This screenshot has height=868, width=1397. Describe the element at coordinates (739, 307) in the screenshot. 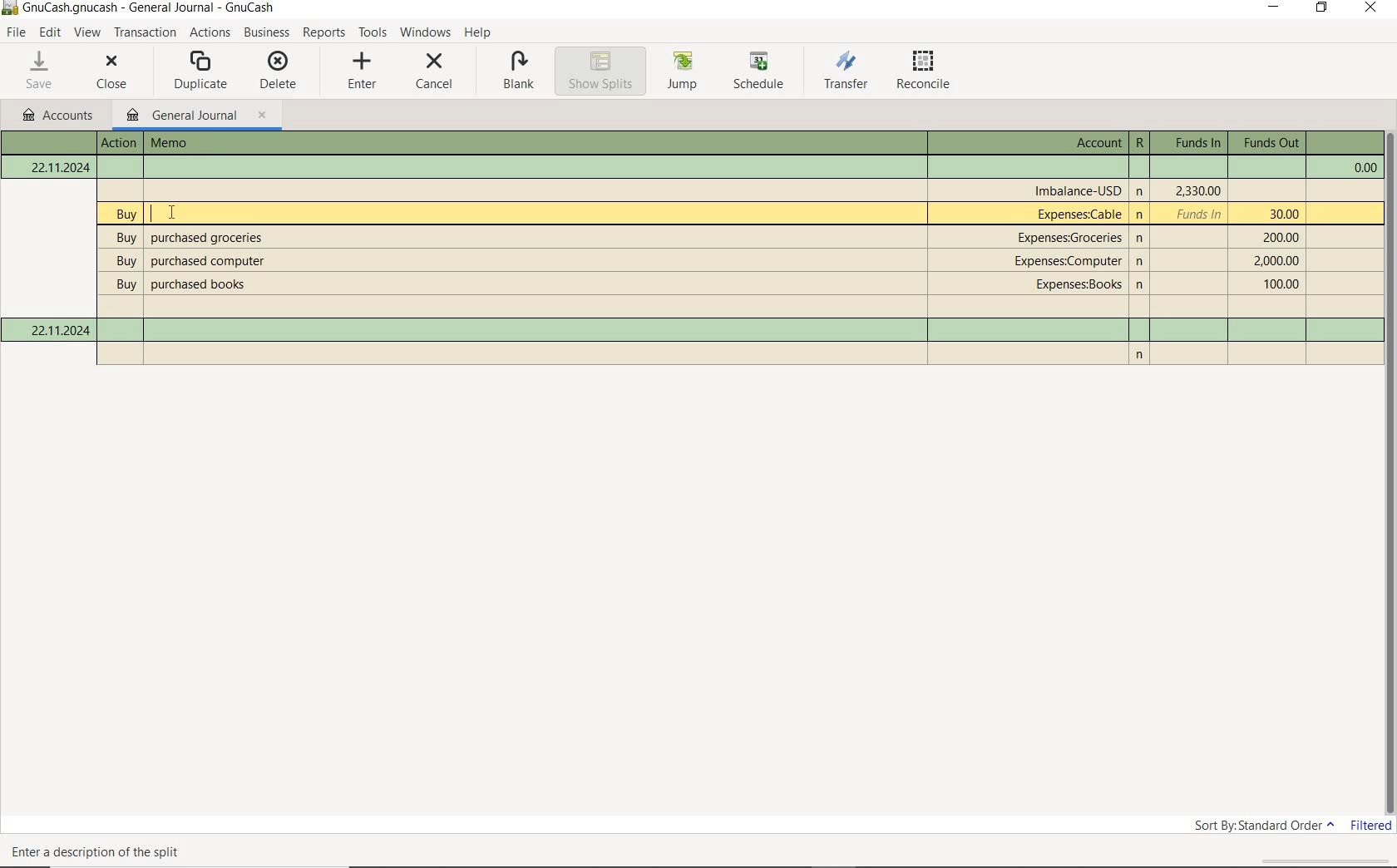

I see `Text` at that location.